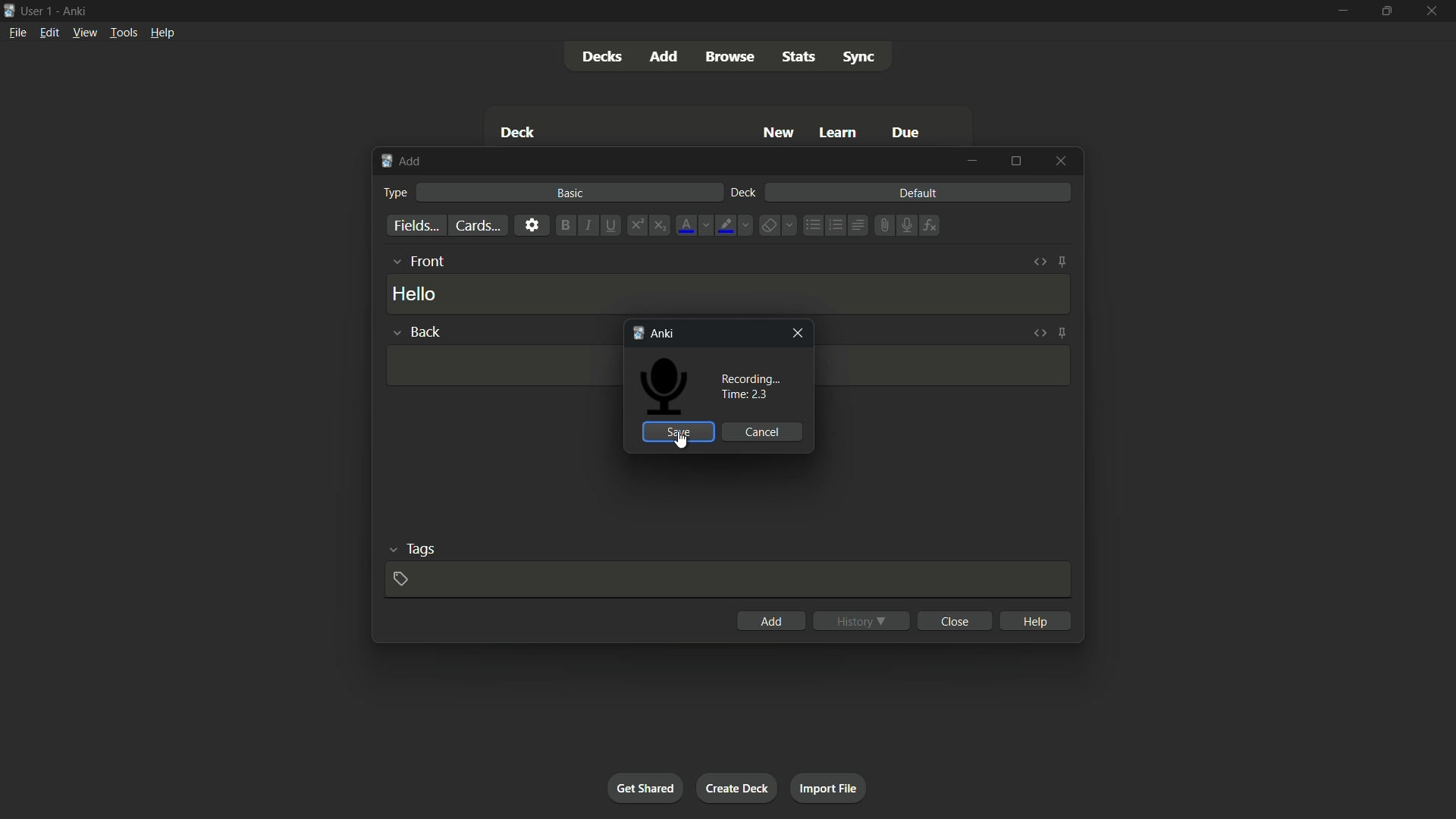 The width and height of the screenshot is (1456, 819). I want to click on anki, so click(655, 335).